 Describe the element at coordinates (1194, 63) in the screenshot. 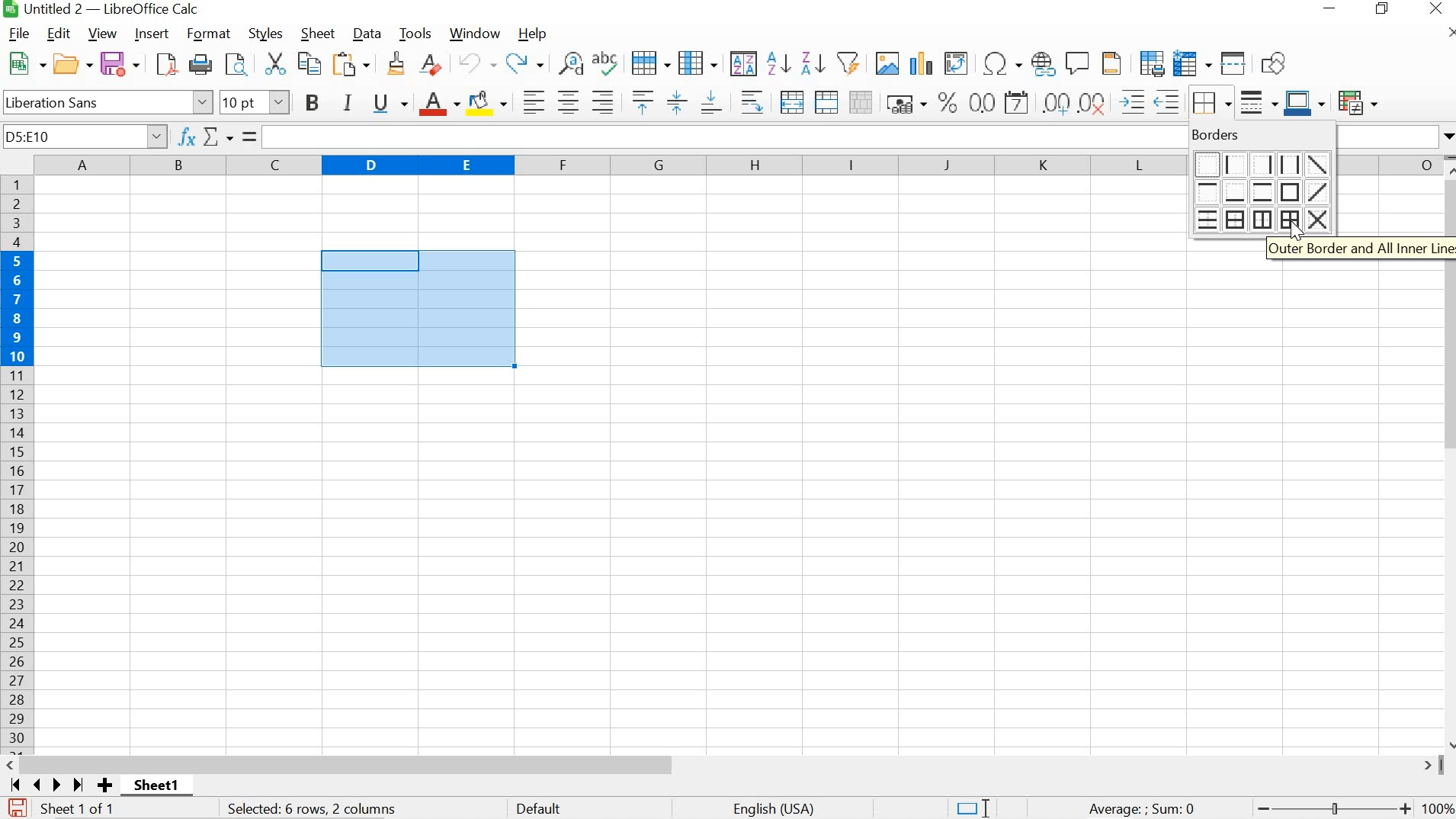

I see `freeze rows and columns` at that location.